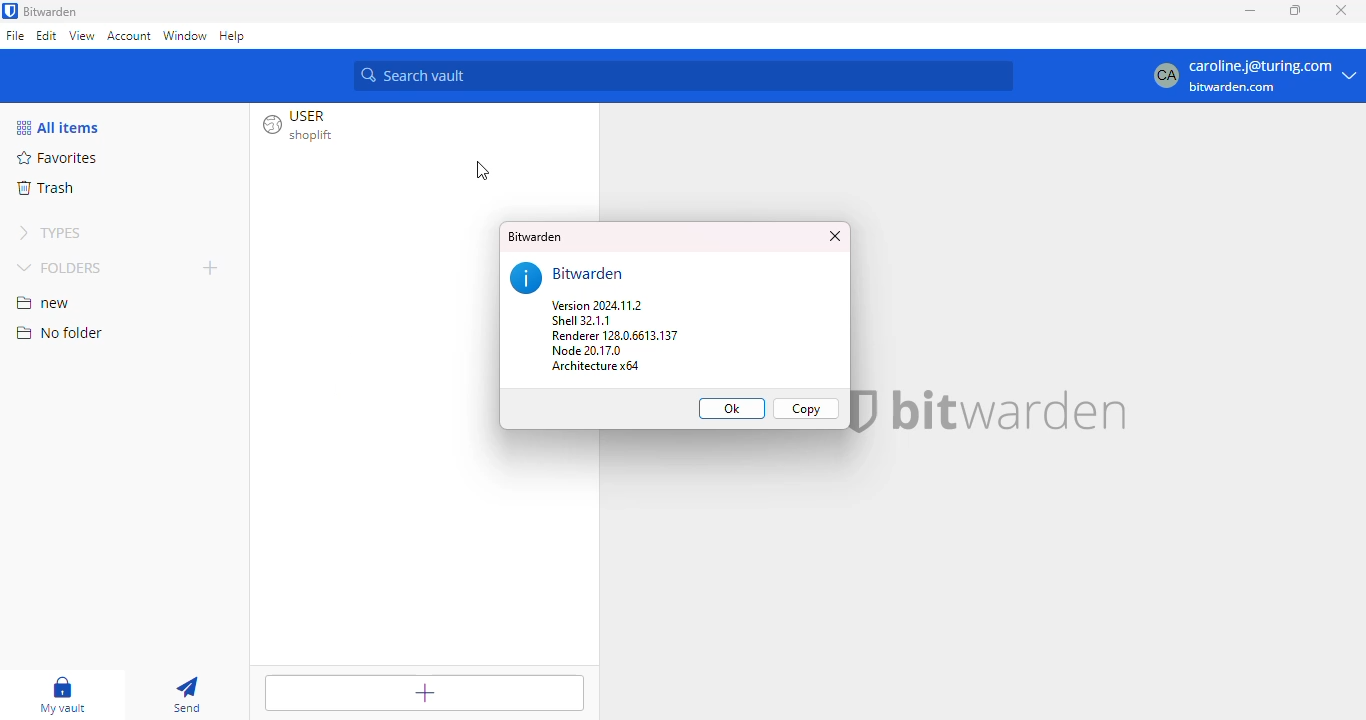  I want to click on logo, so click(525, 276).